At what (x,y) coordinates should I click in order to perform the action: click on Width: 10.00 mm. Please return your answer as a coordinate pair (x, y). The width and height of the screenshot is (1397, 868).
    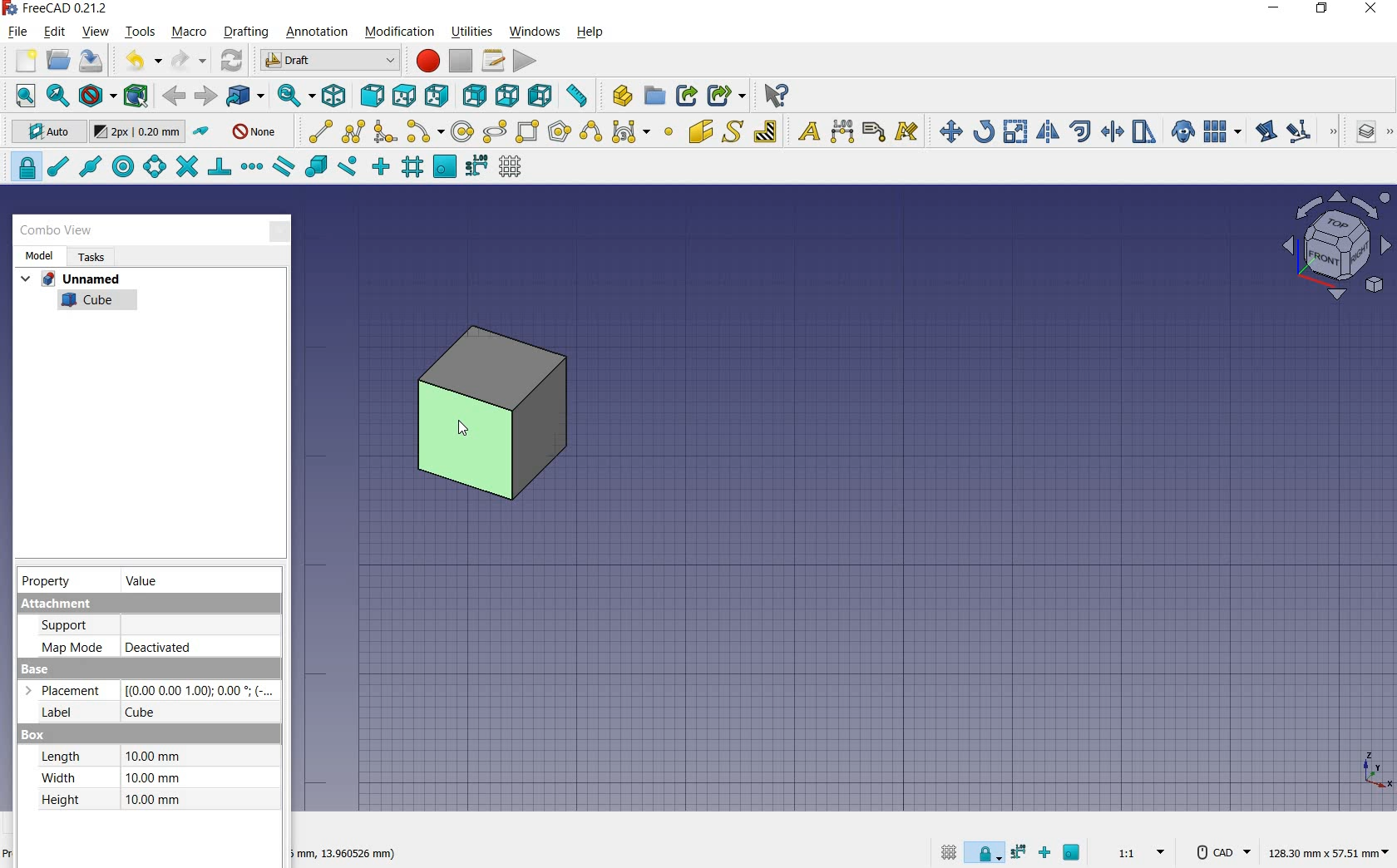
    Looking at the image, I should click on (110, 778).